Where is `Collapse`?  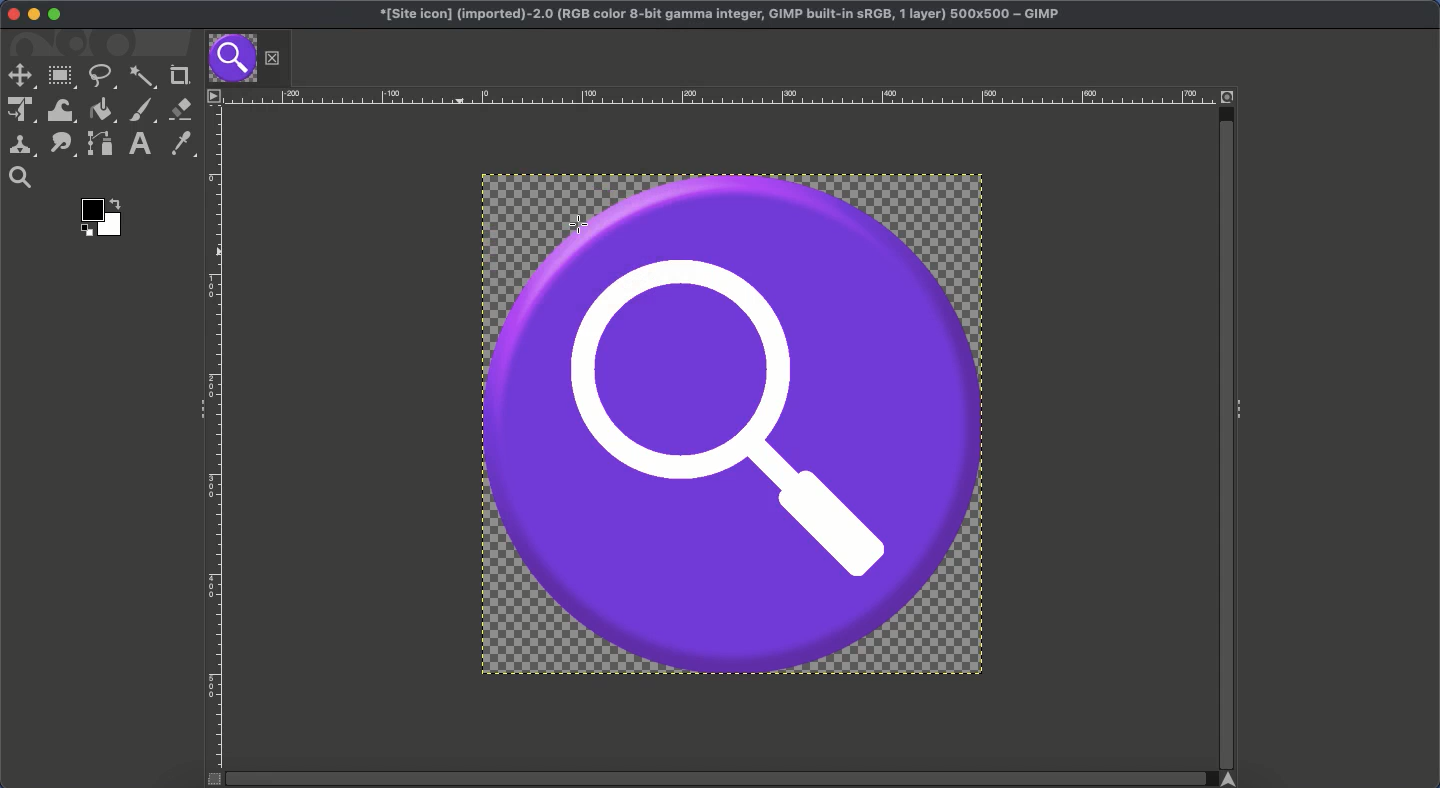
Collapse is located at coordinates (197, 410).